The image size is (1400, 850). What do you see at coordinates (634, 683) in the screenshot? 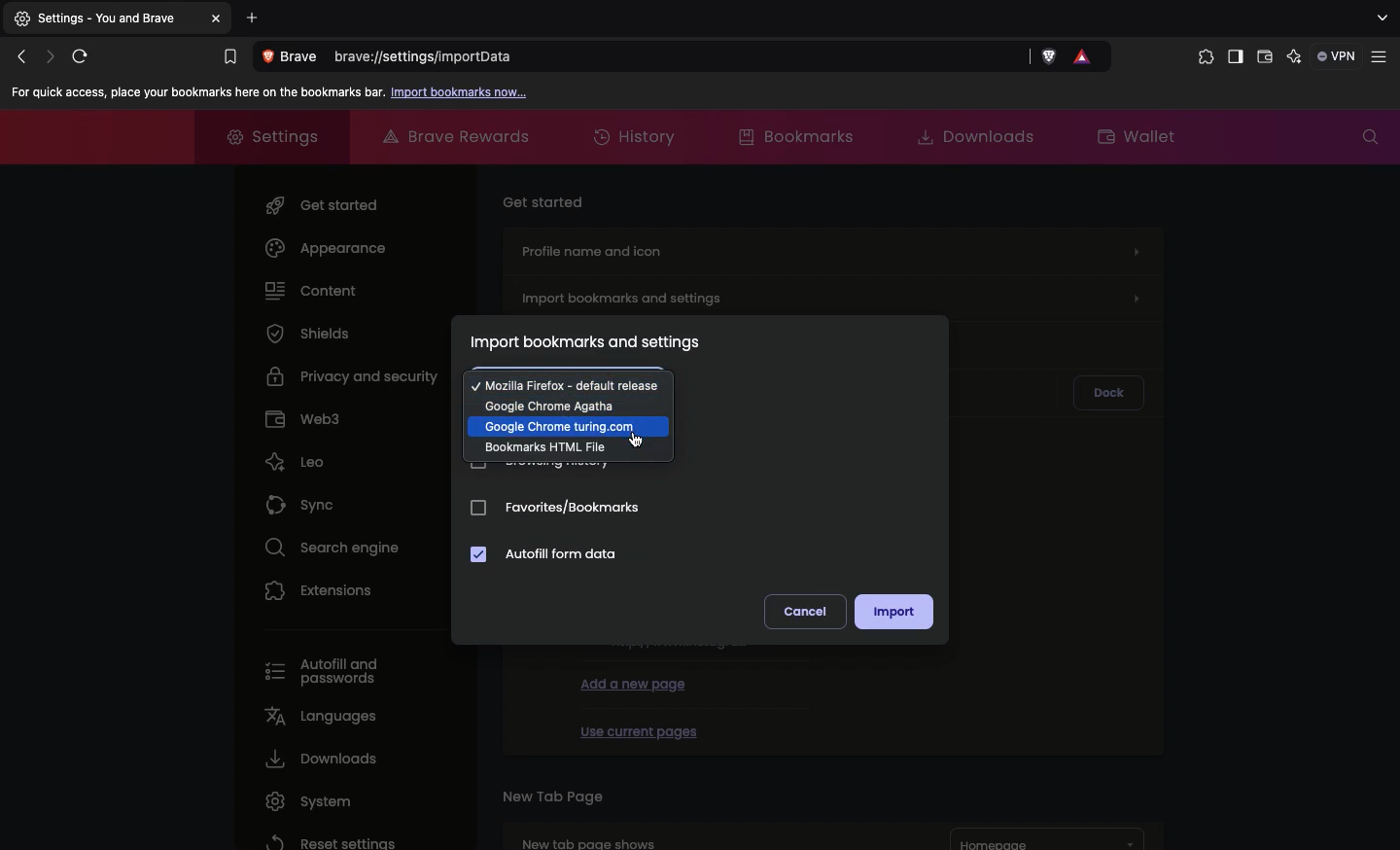
I see `Add a new page` at bounding box center [634, 683].